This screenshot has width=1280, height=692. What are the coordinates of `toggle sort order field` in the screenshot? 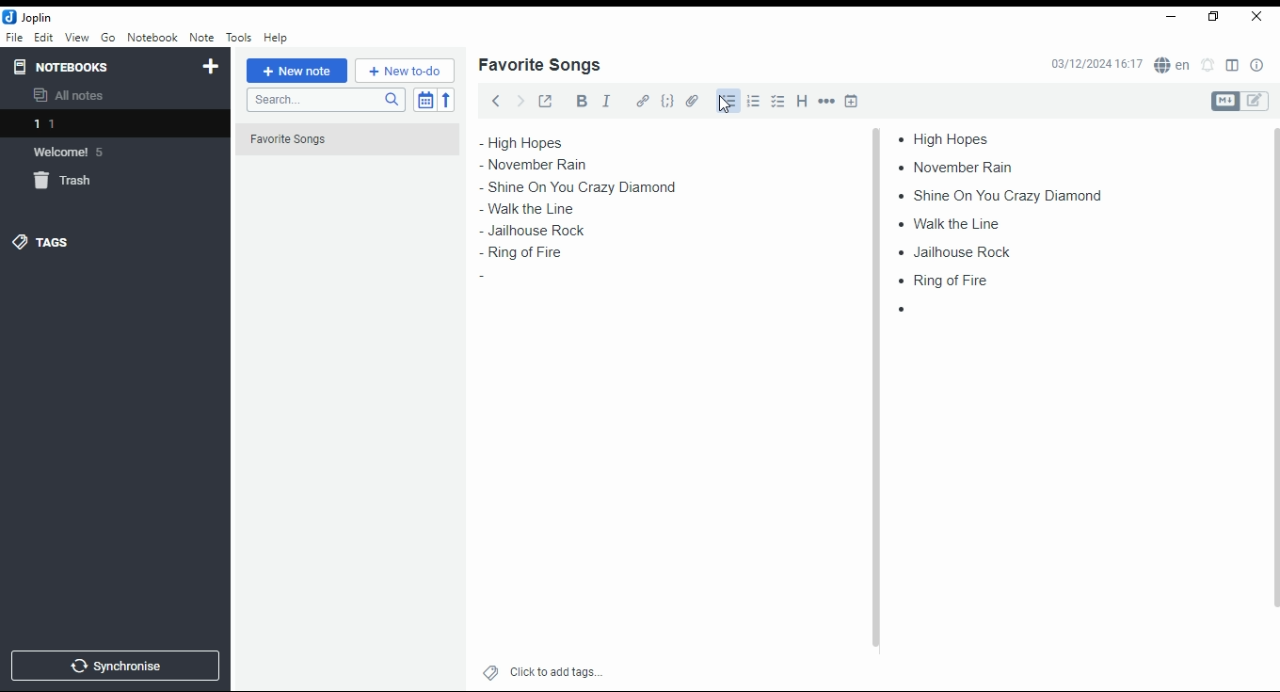 It's located at (425, 100).